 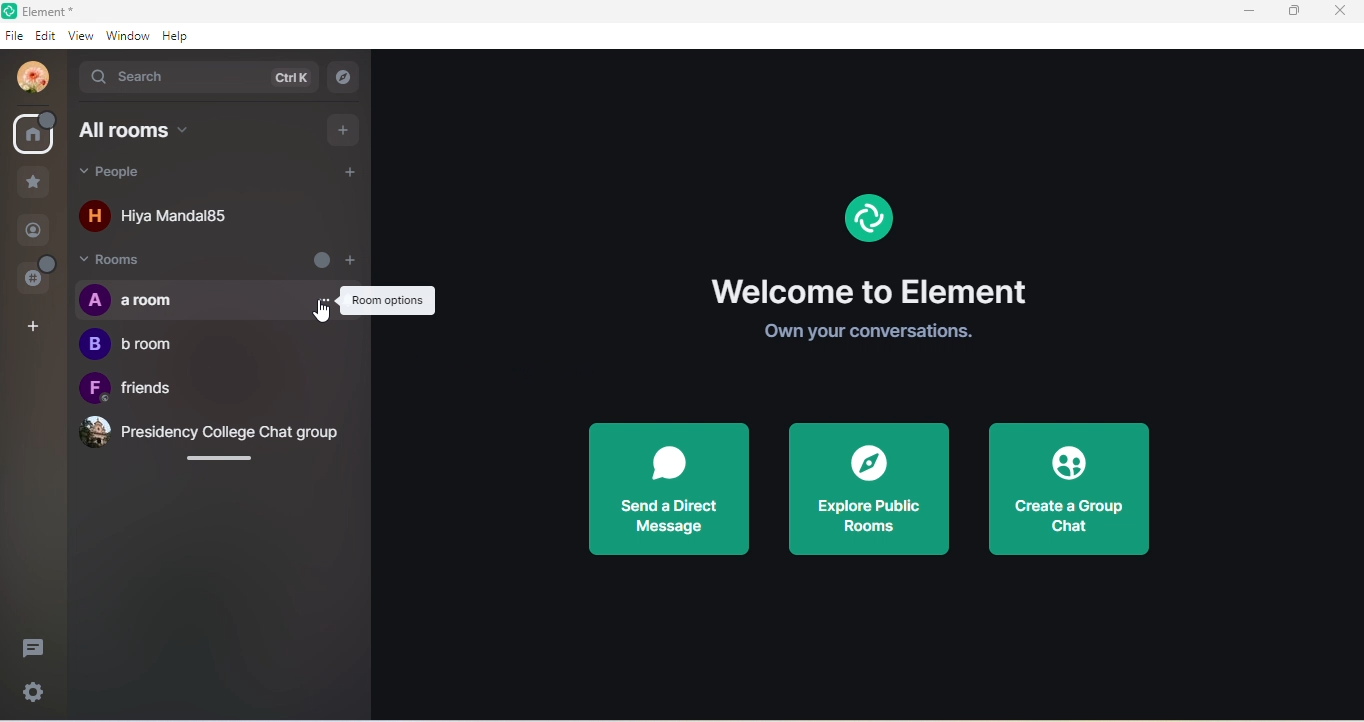 What do you see at coordinates (181, 36) in the screenshot?
I see `help` at bounding box center [181, 36].